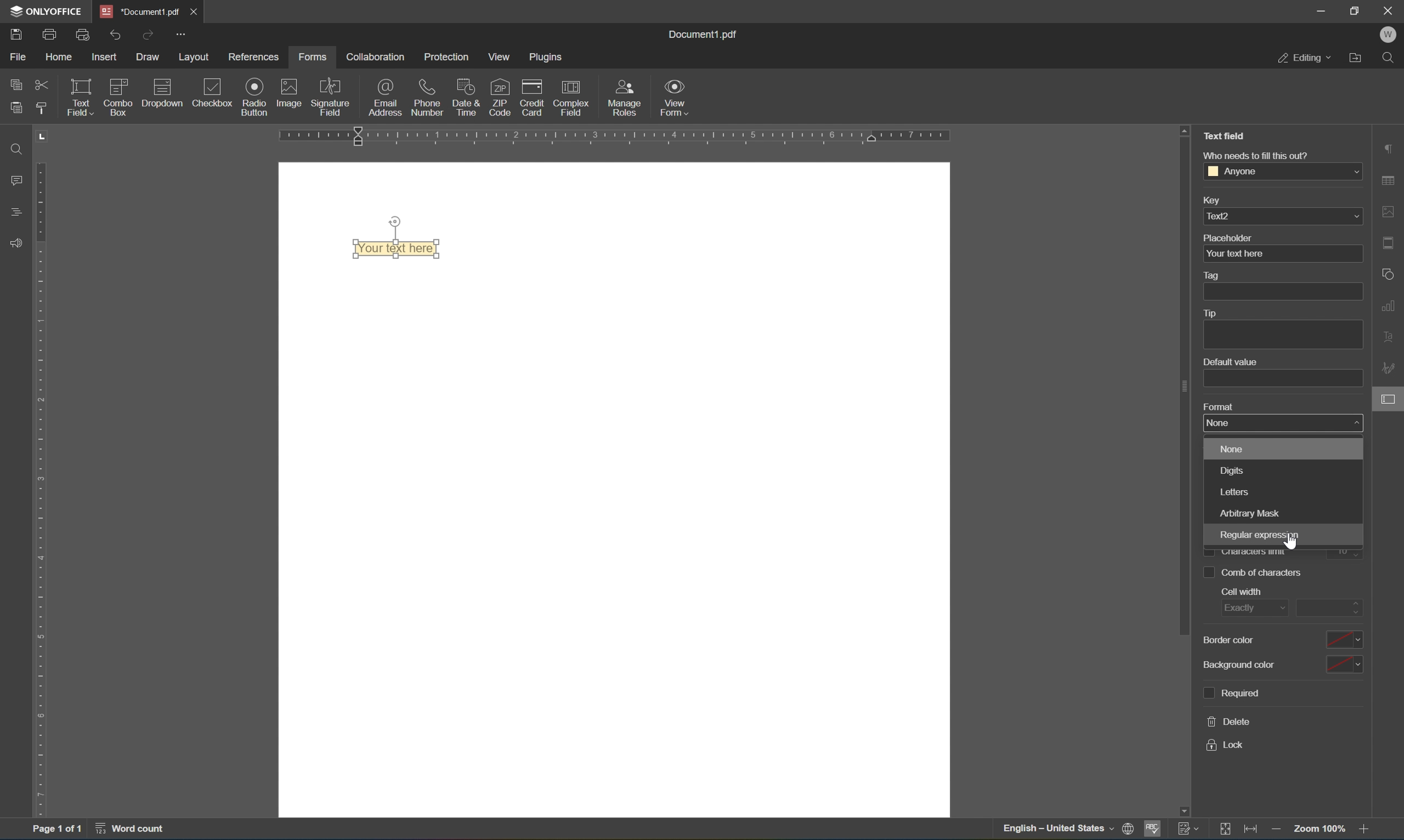 The image size is (1404, 840). What do you see at coordinates (331, 97) in the screenshot?
I see `signature field` at bounding box center [331, 97].